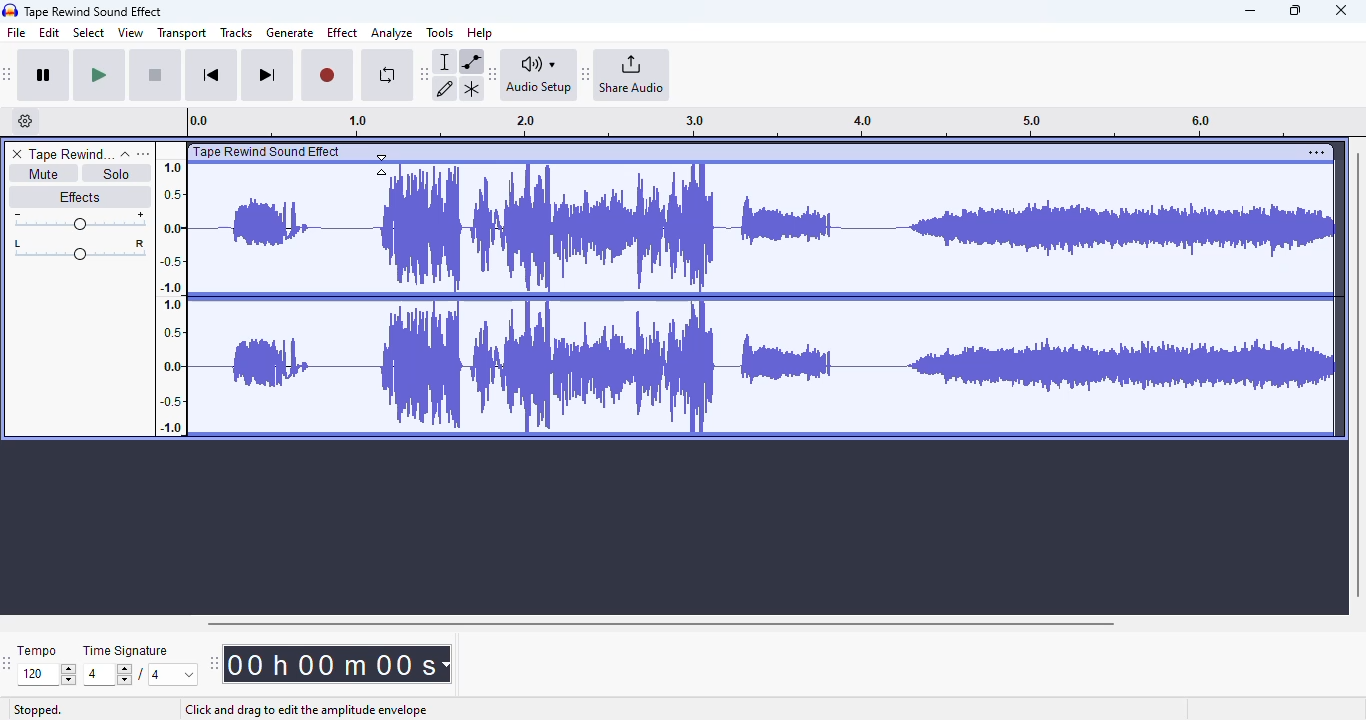 Image resolution: width=1366 pixels, height=720 pixels. I want to click on close, so click(1341, 10).